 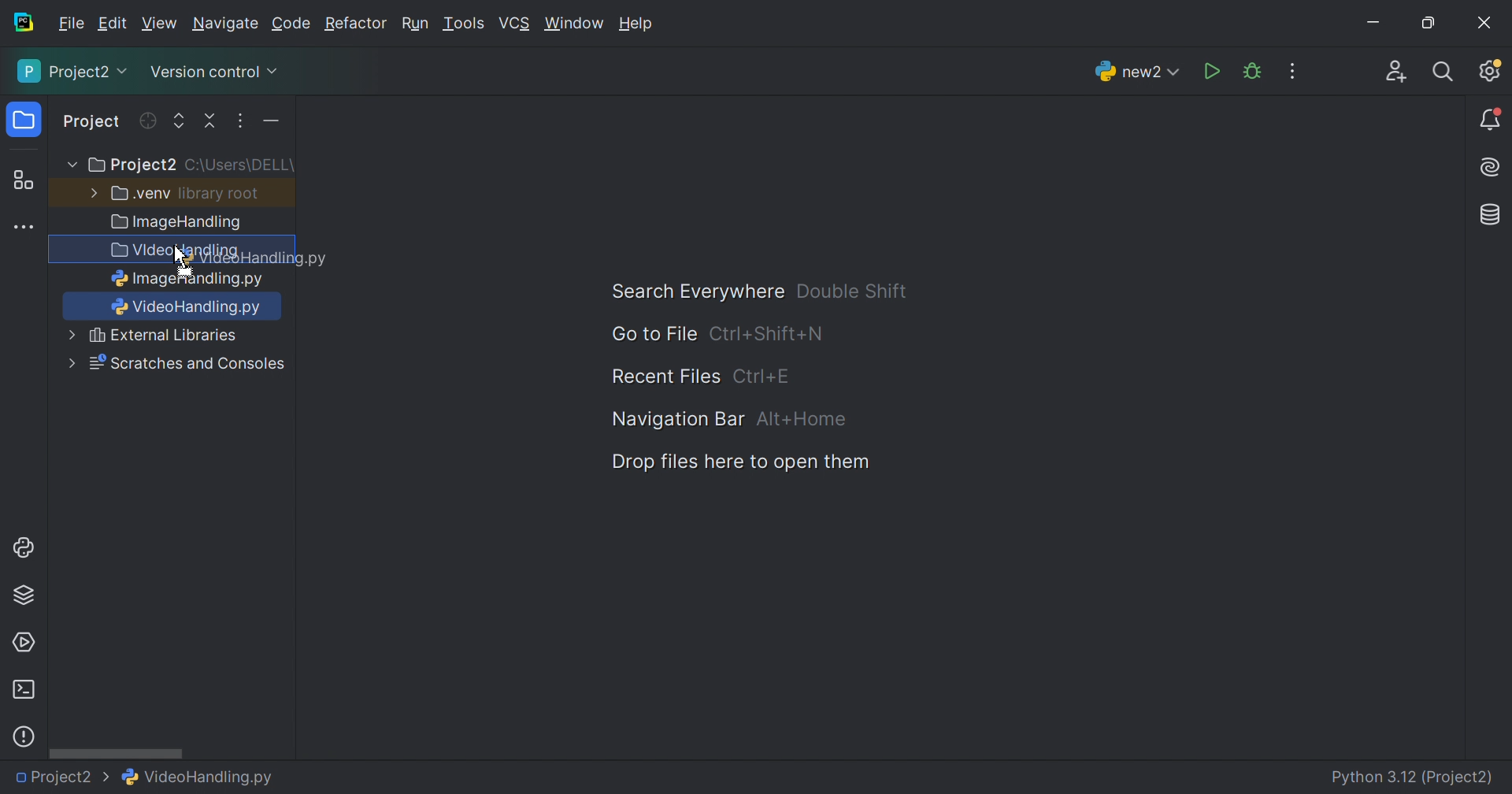 What do you see at coordinates (198, 775) in the screenshot?
I see `VideoHandling.py` at bounding box center [198, 775].